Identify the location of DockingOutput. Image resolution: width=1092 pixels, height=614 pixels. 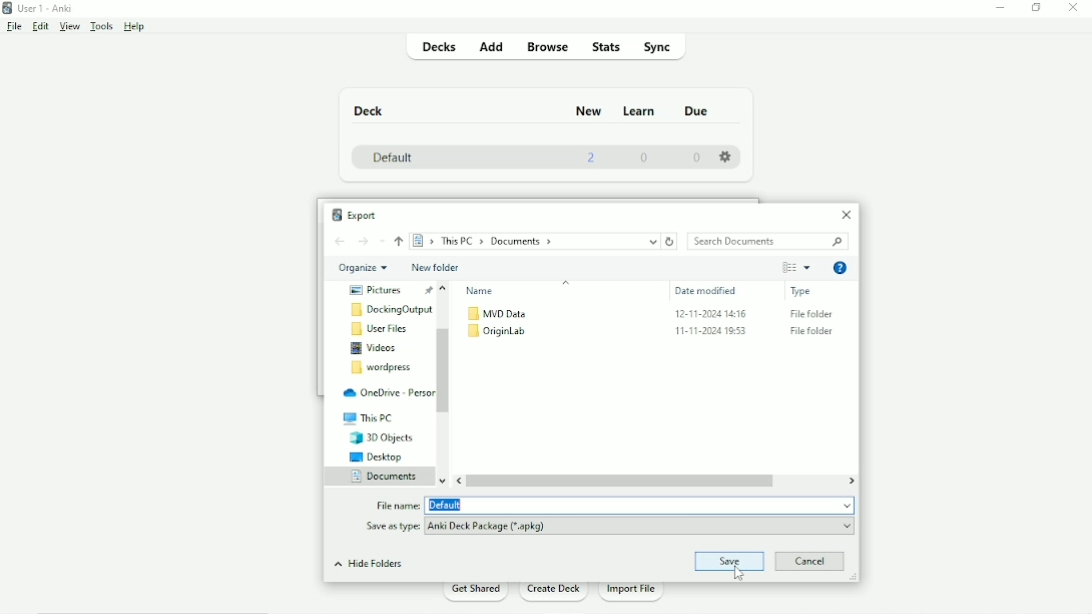
(389, 309).